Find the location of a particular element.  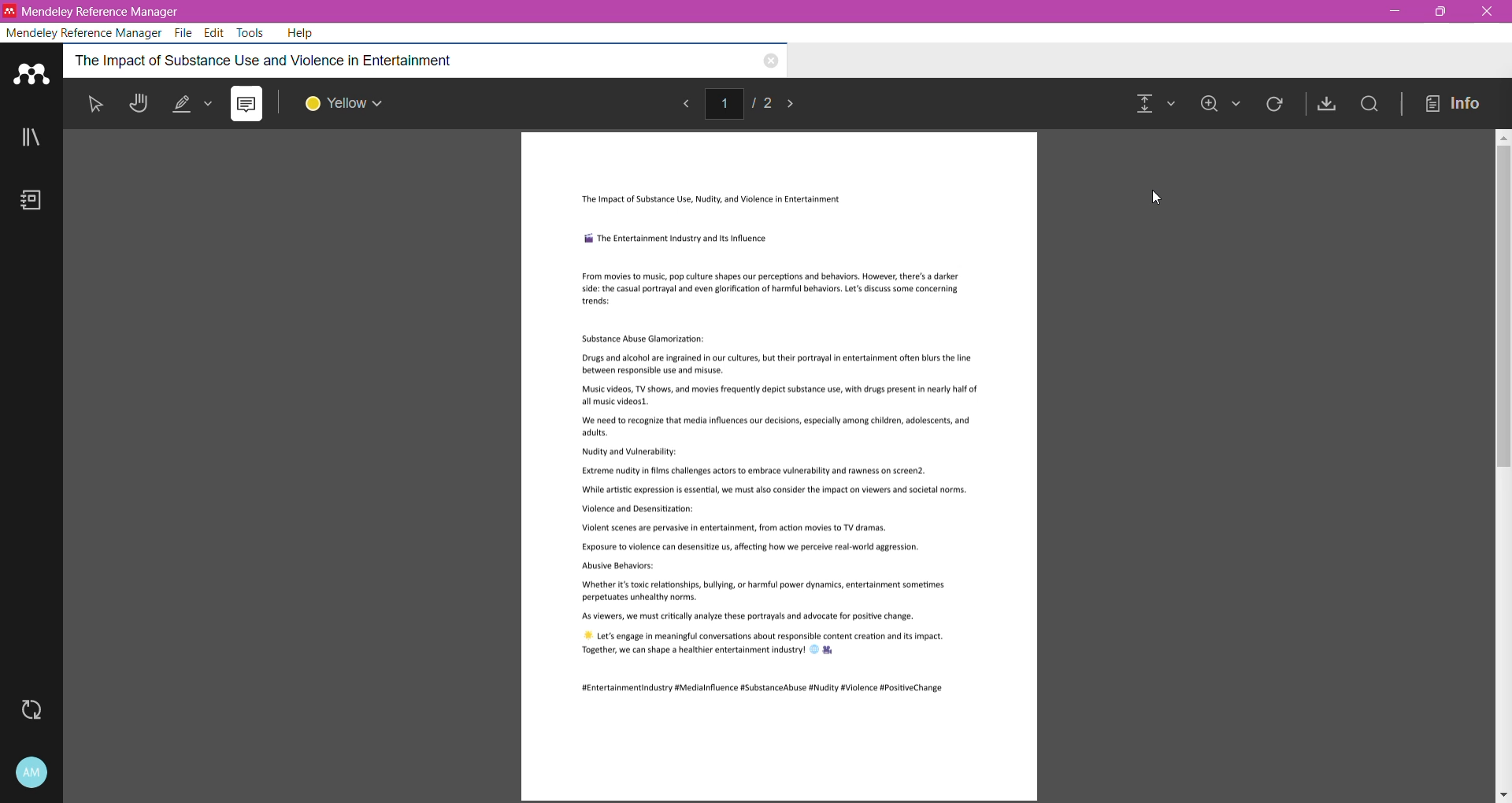

Help is located at coordinates (303, 33).